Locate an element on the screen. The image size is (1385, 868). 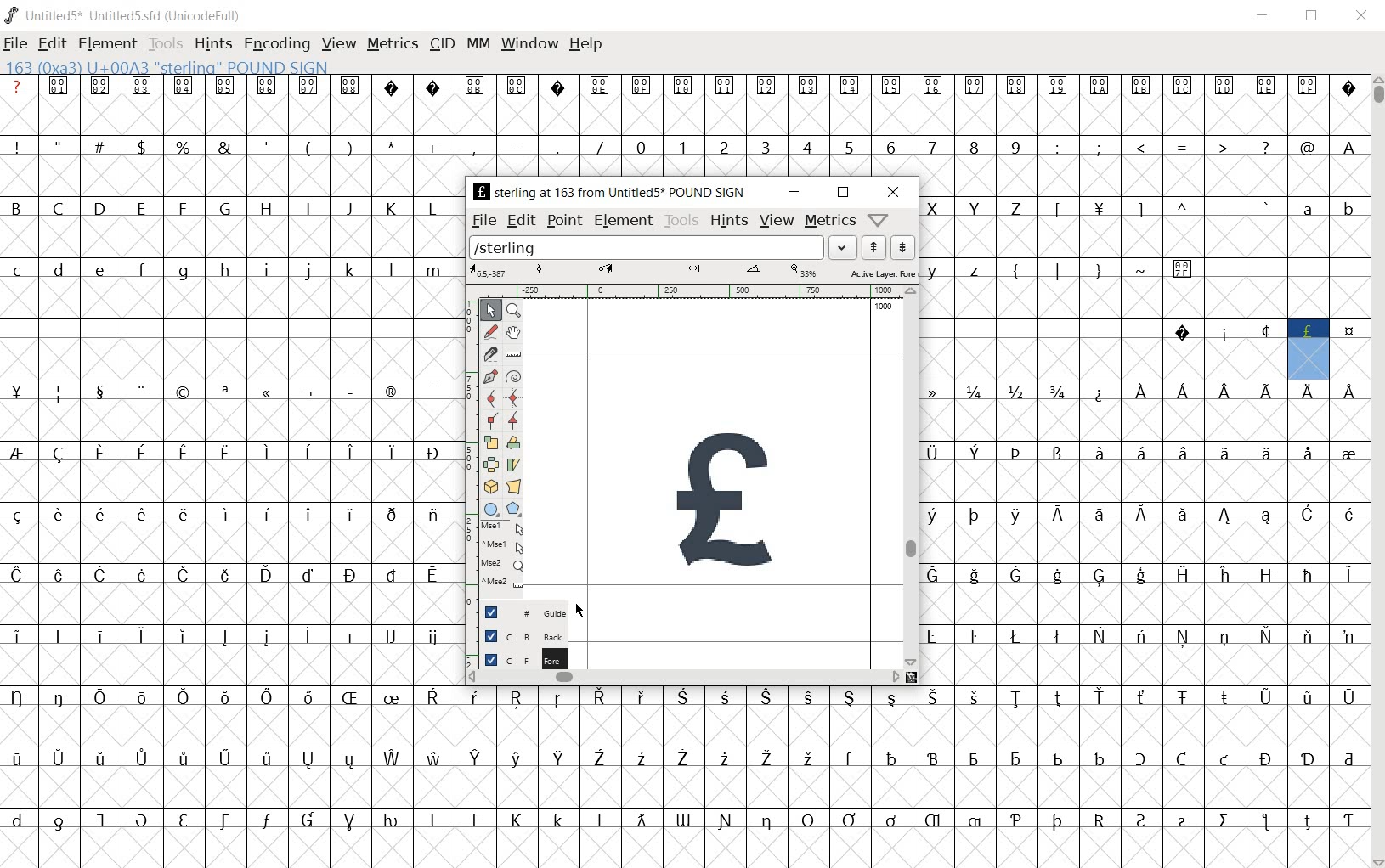
Symbol is located at coordinates (1055, 822).